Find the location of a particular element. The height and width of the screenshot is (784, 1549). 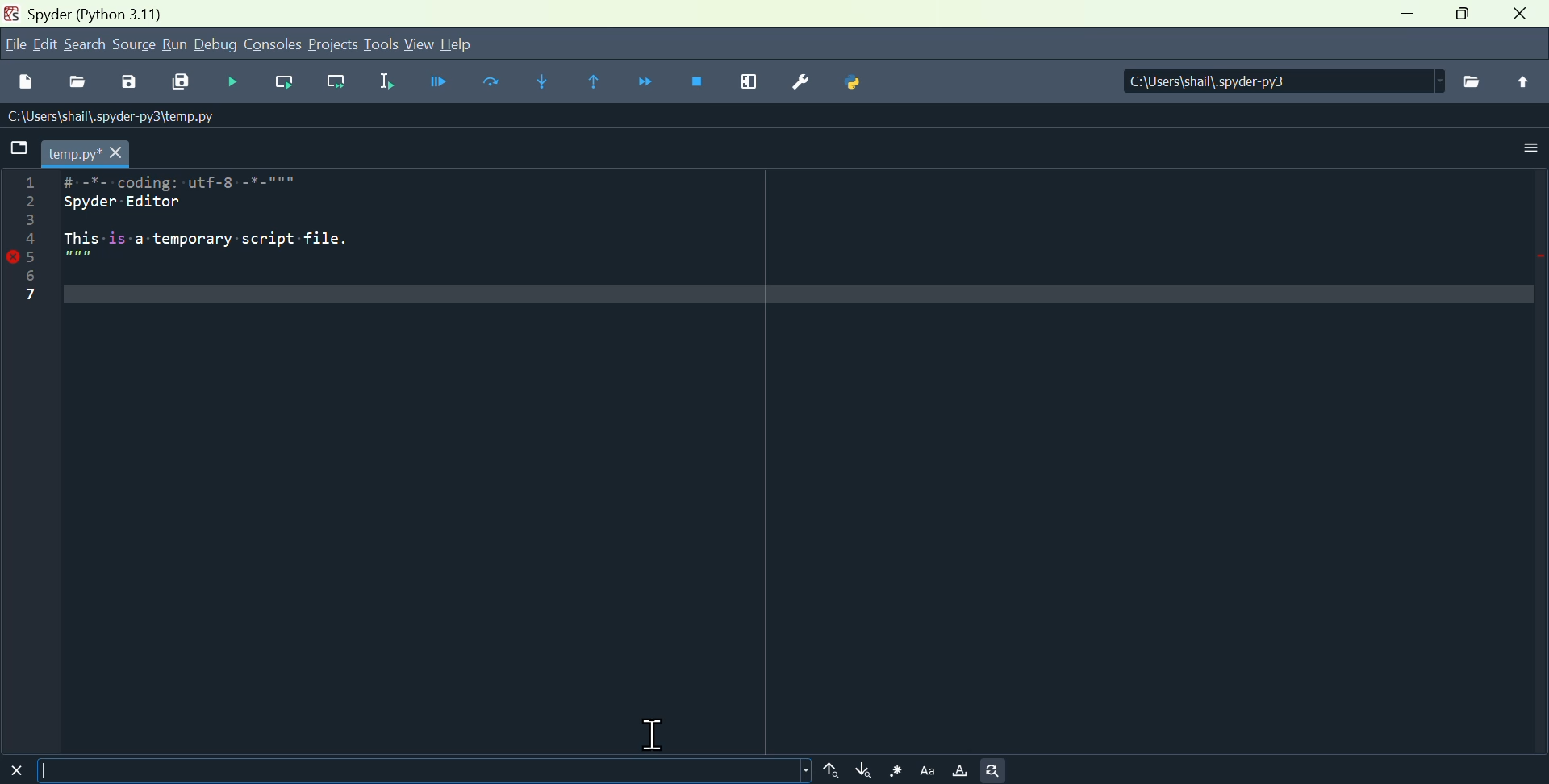

Tools is located at coordinates (382, 46).